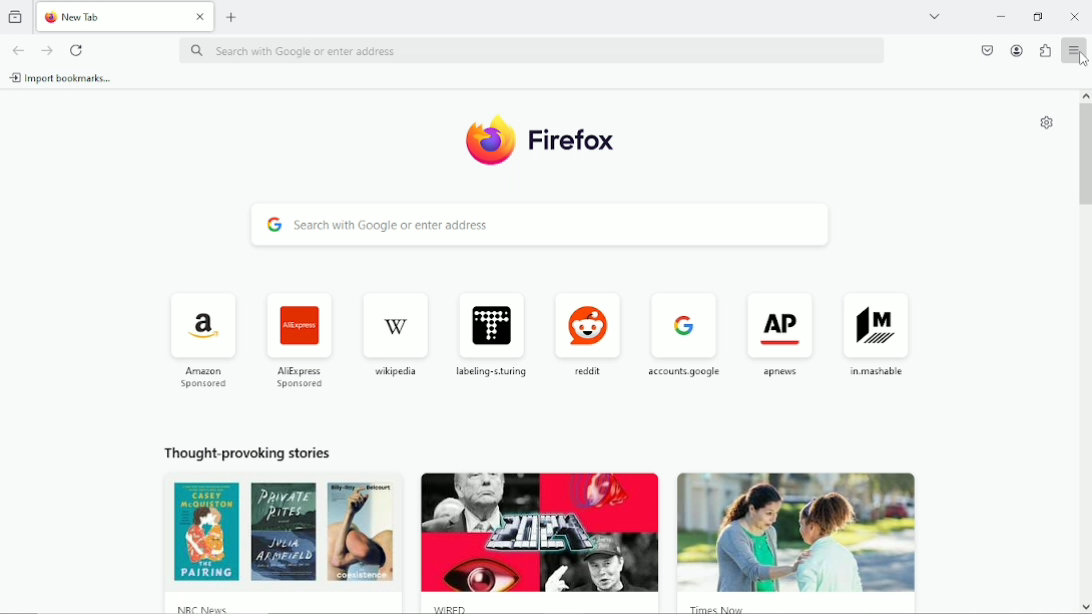 This screenshot has width=1092, height=614. Describe the element at coordinates (185, 604) in the screenshot. I see `nrc news` at that location.